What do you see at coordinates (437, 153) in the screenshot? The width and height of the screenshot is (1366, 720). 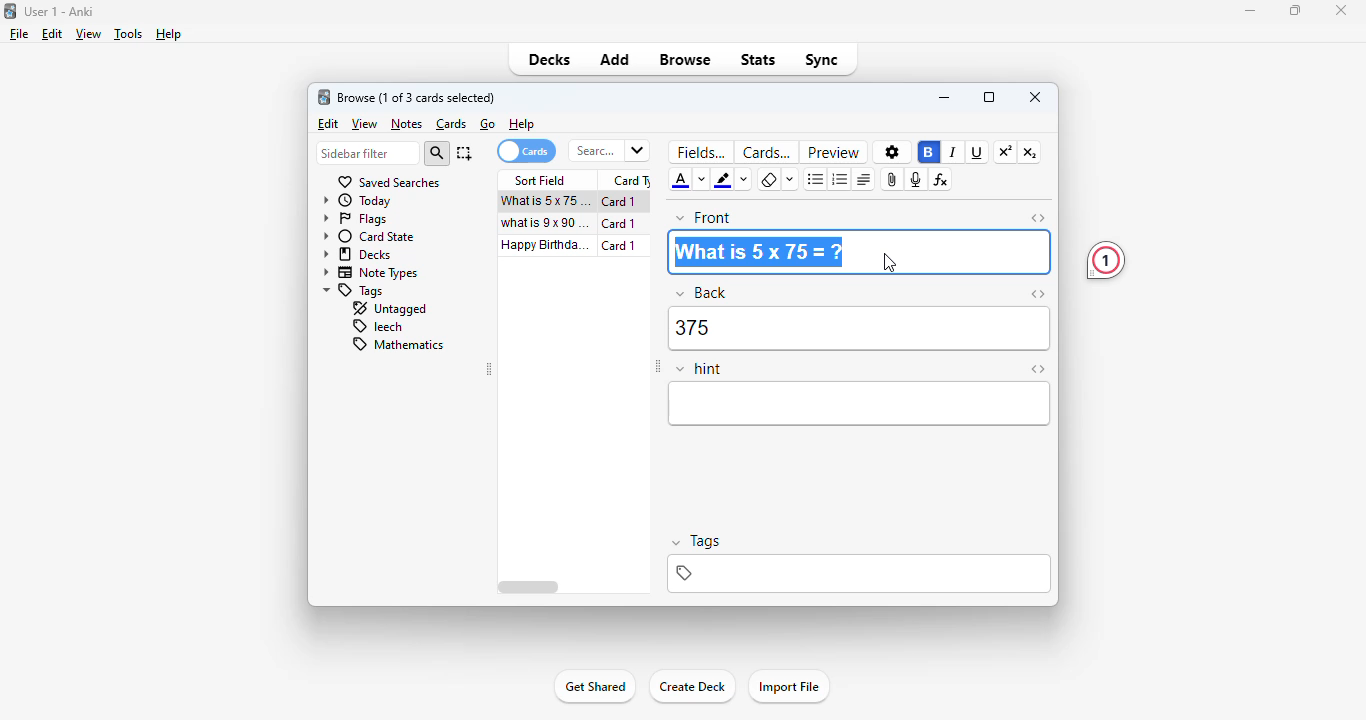 I see `search` at bounding box center [437, 153].